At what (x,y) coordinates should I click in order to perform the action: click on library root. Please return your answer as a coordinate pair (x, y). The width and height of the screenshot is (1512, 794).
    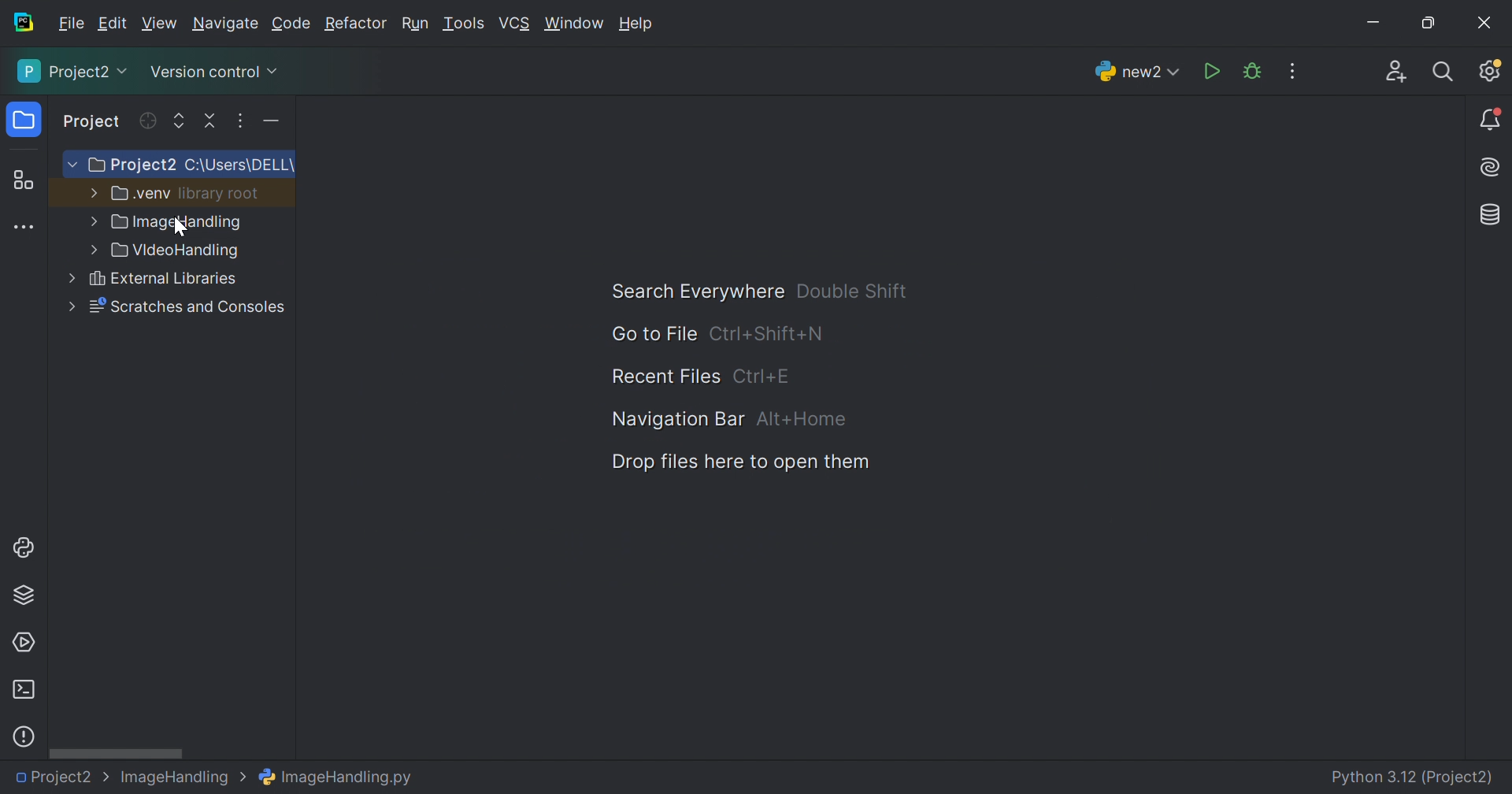
    Looking at the image, I should click on (220, 193).